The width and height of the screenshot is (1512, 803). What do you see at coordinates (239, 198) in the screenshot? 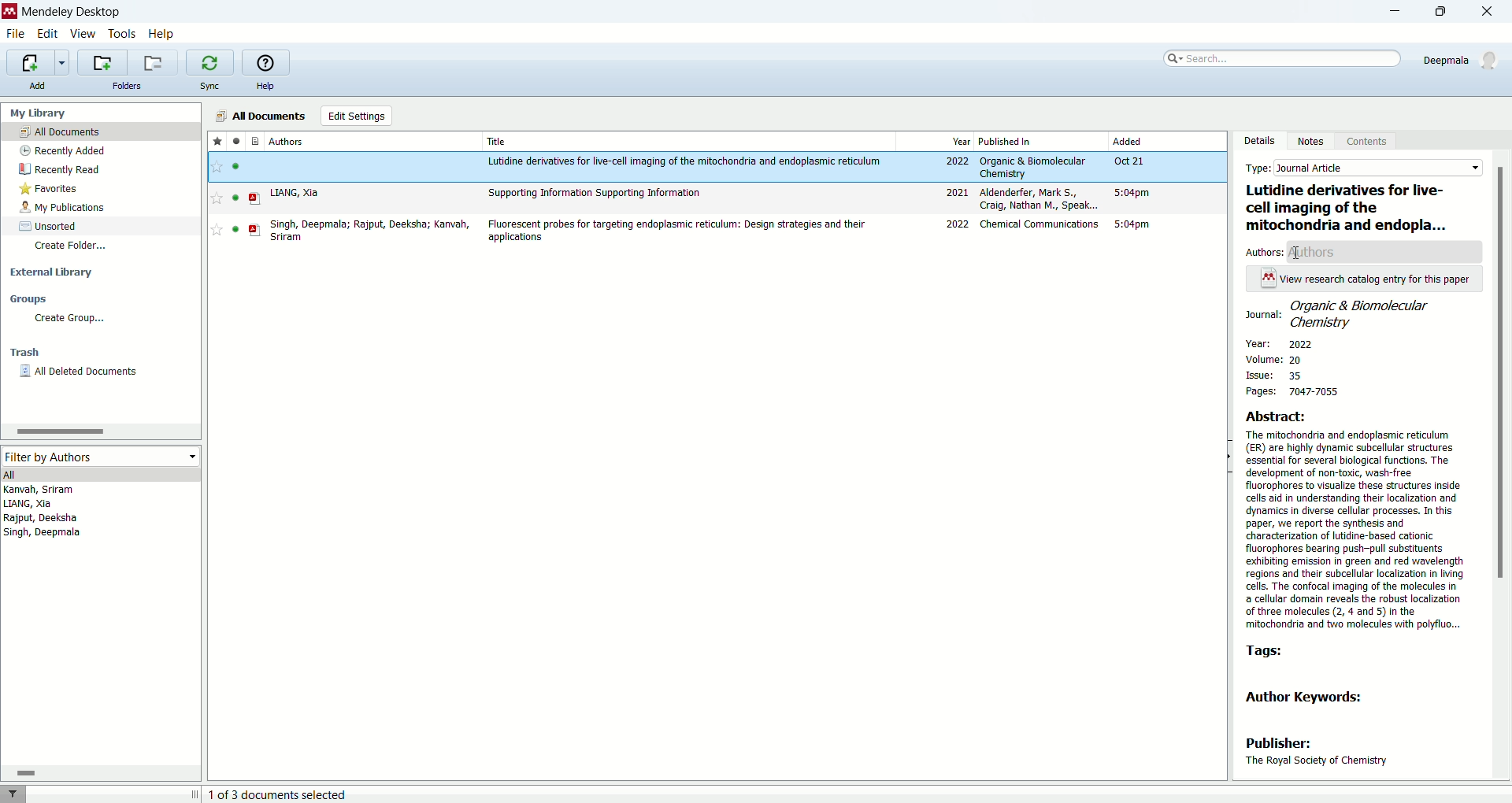
I see `read/unread` at bounding box center [239, 198].